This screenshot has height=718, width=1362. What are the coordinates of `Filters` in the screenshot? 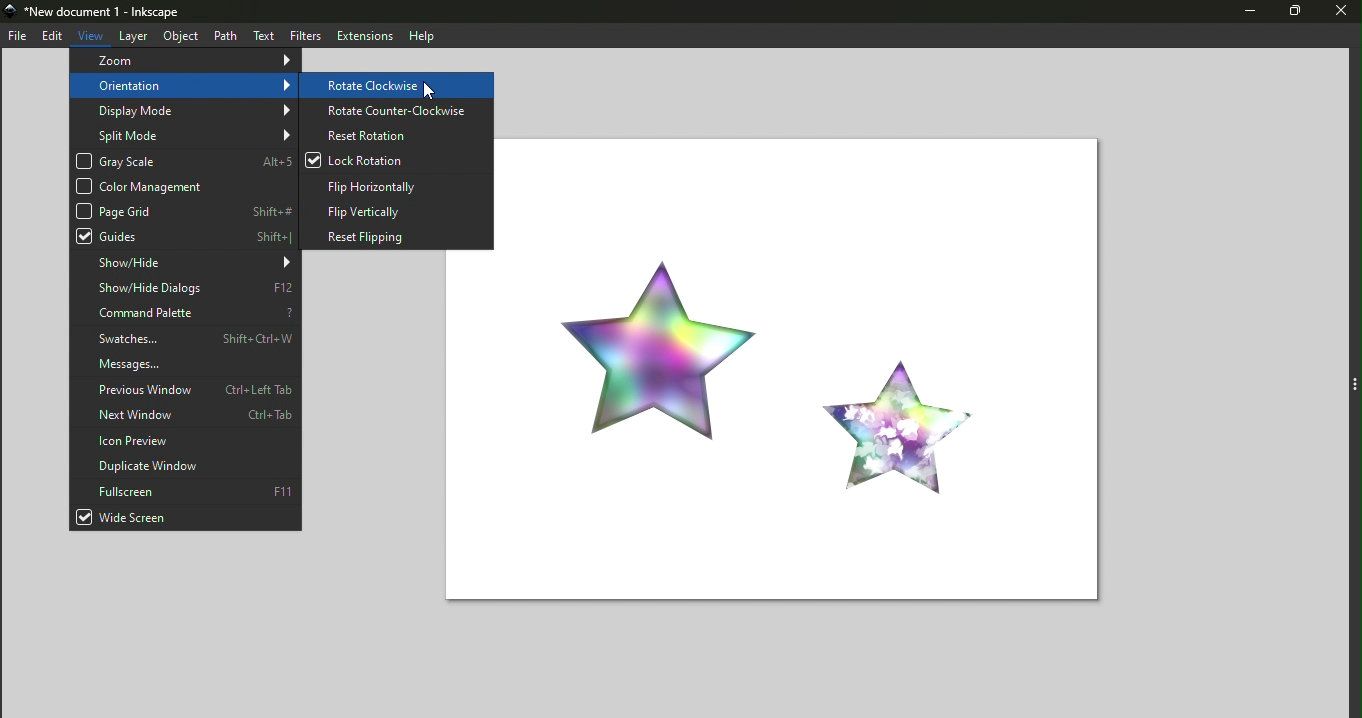 It's located at (305, 34).